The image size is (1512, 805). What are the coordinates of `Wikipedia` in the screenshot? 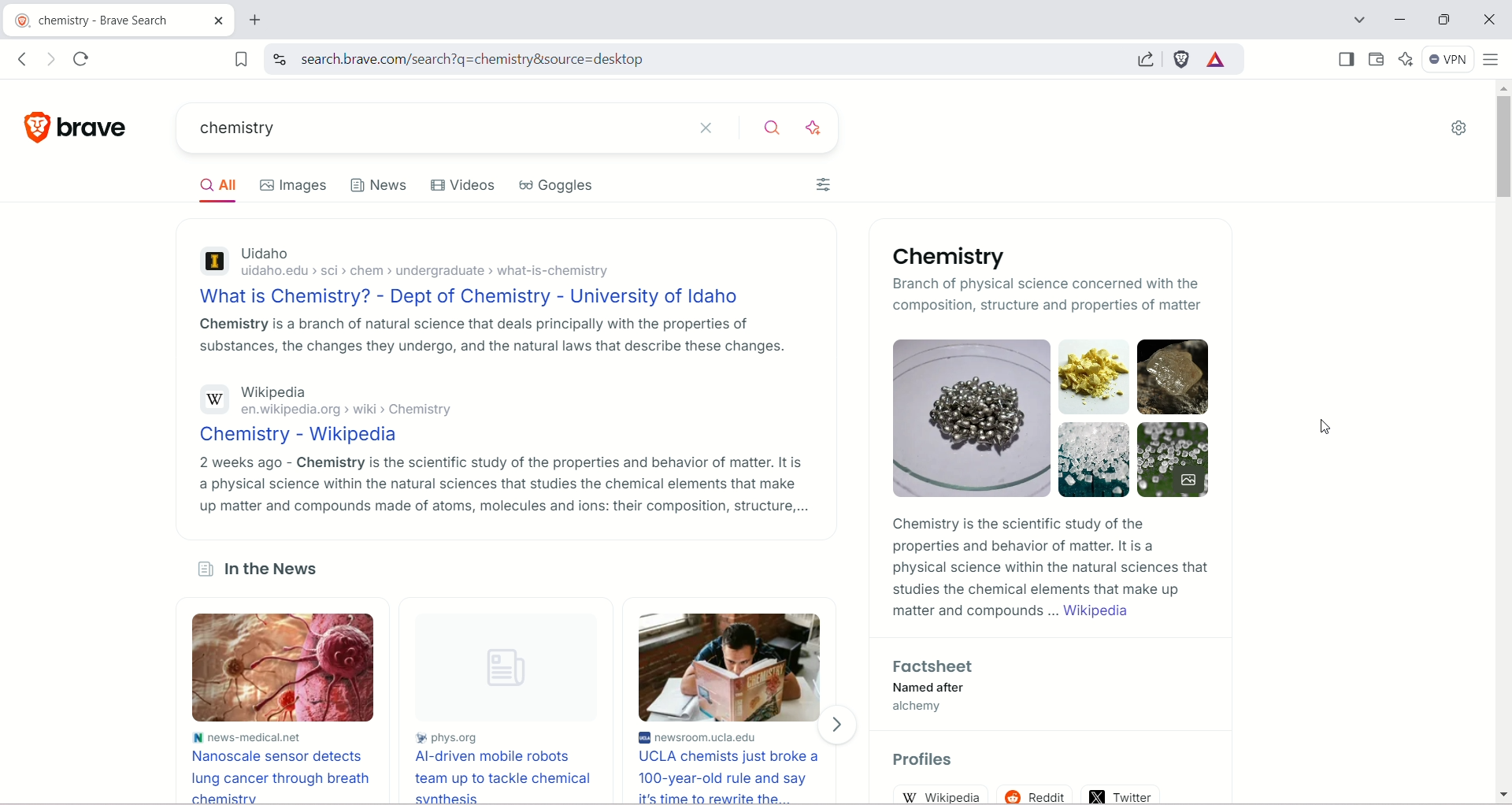 It's located at (291, 391).